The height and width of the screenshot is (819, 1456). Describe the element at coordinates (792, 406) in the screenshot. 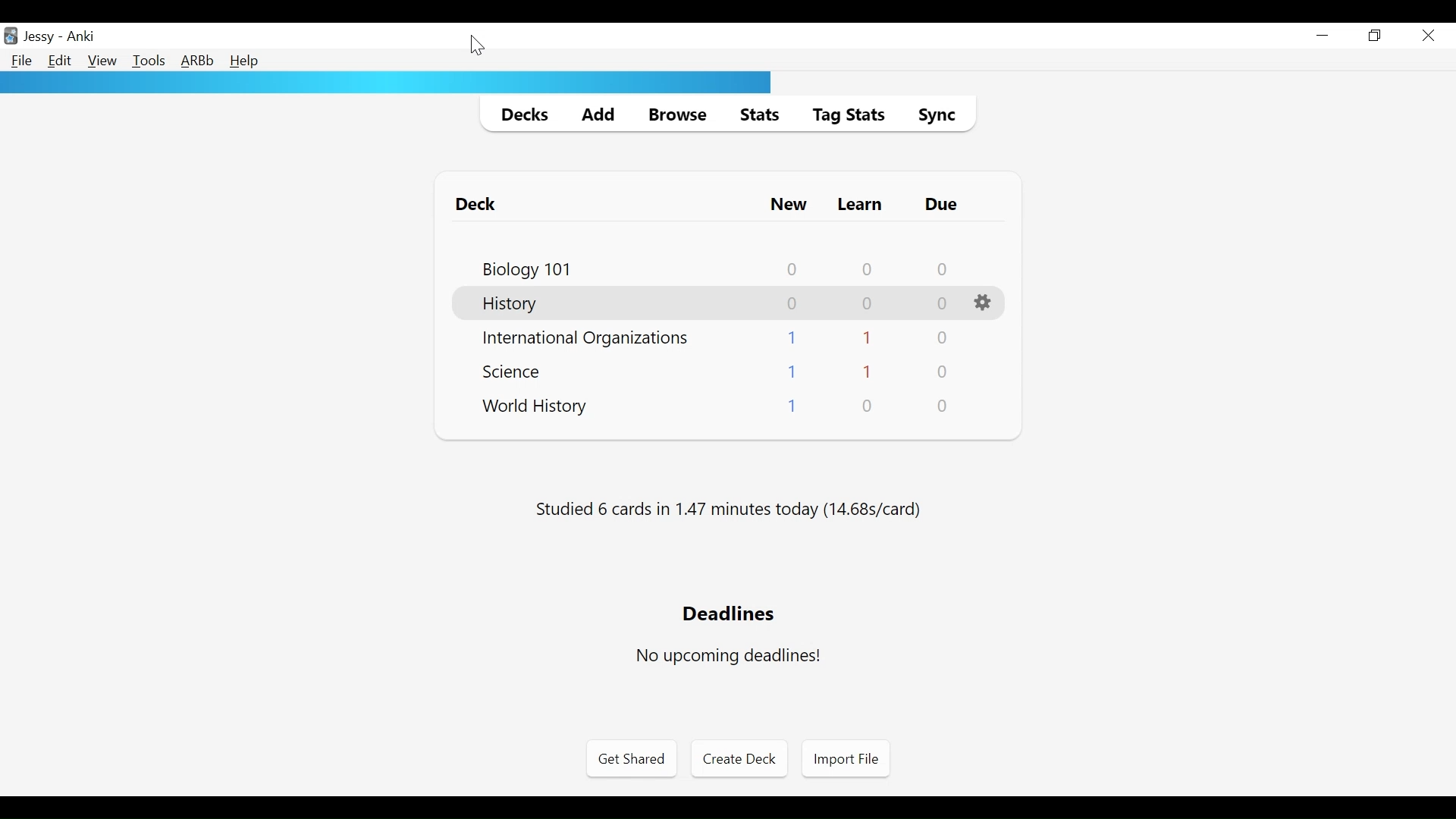

I see `New Card Name` at that location.